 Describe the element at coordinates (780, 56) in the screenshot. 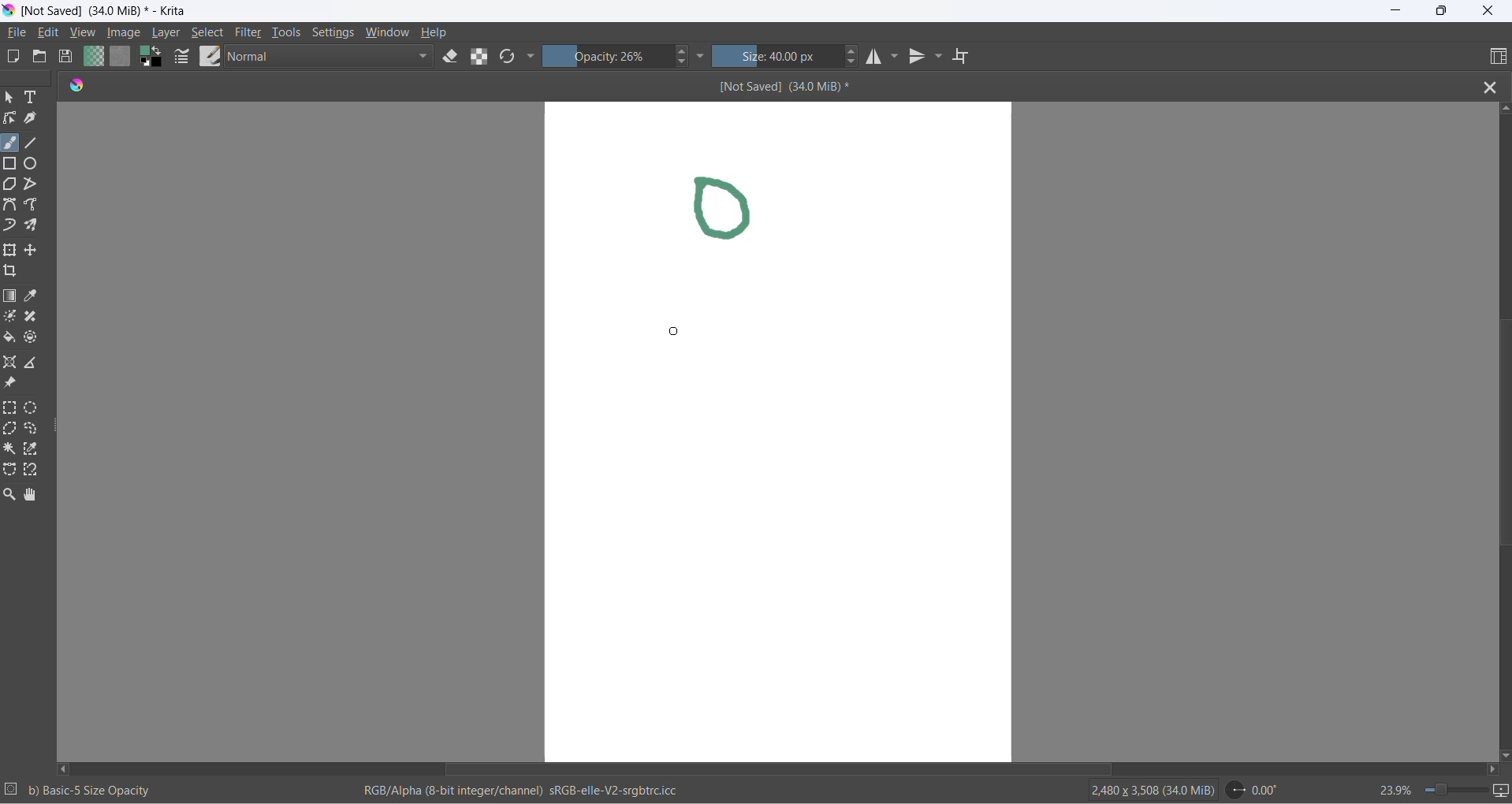

I see `size` at that location.